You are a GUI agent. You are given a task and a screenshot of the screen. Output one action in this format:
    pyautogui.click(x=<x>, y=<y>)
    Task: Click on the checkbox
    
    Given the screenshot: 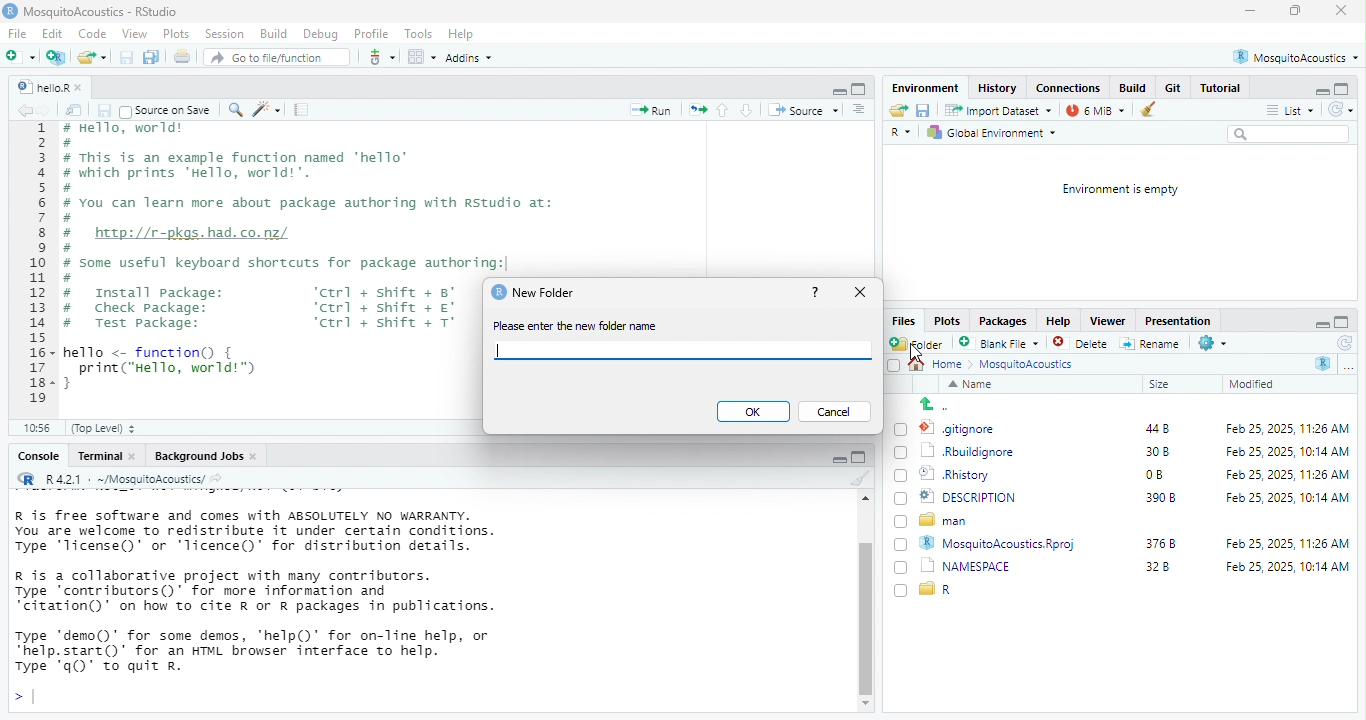 What is the action you would take?
    pyautogui.click(x=900, y=499)
    